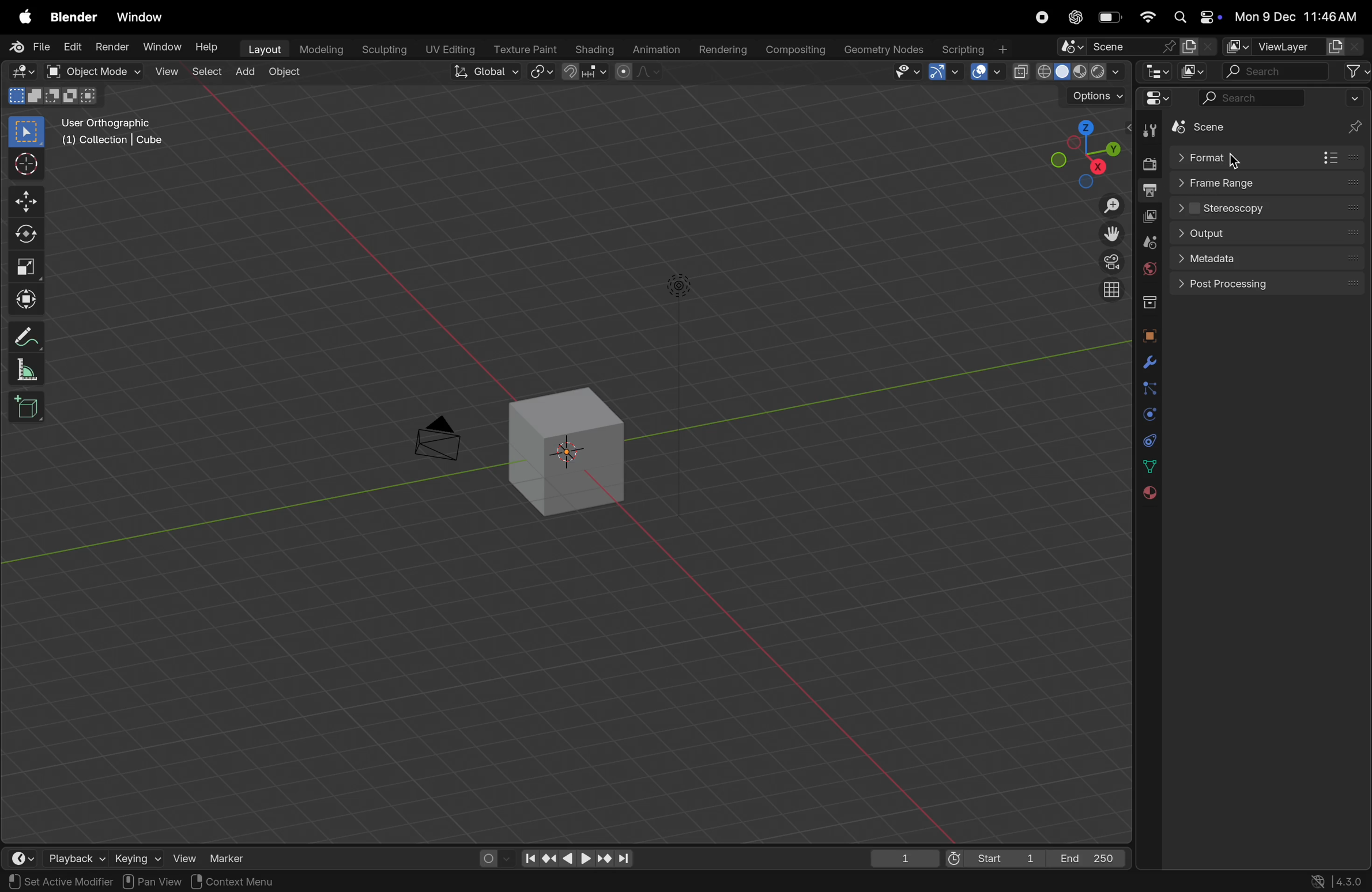 The width and height of the screenshot is (1372, 892). Describe the element at coordinates (1270, 182) in the screenshot. I see `Frame range` at that location.